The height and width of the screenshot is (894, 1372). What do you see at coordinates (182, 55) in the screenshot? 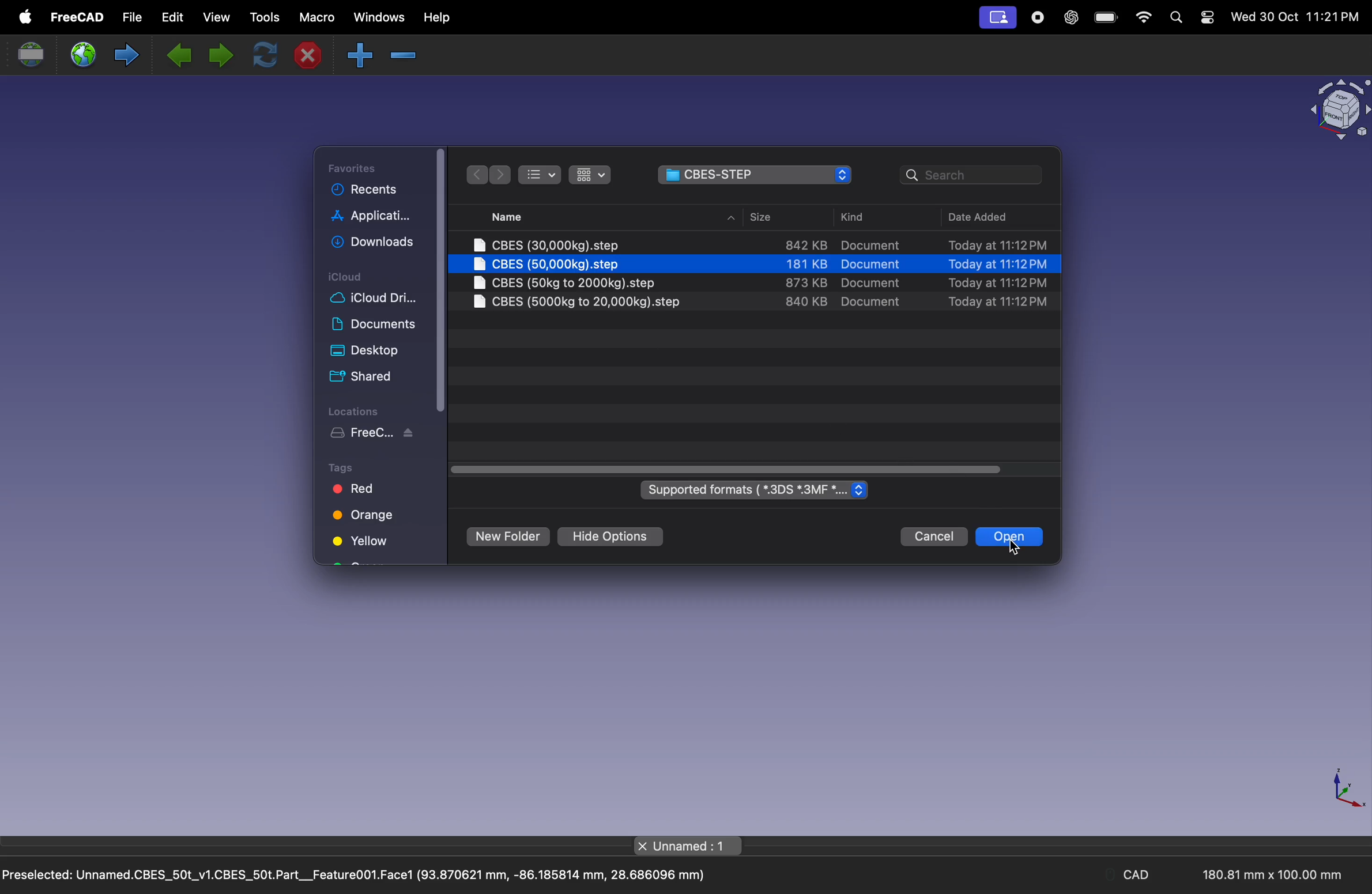
I see `previous page` at bounding box center [182, 55].